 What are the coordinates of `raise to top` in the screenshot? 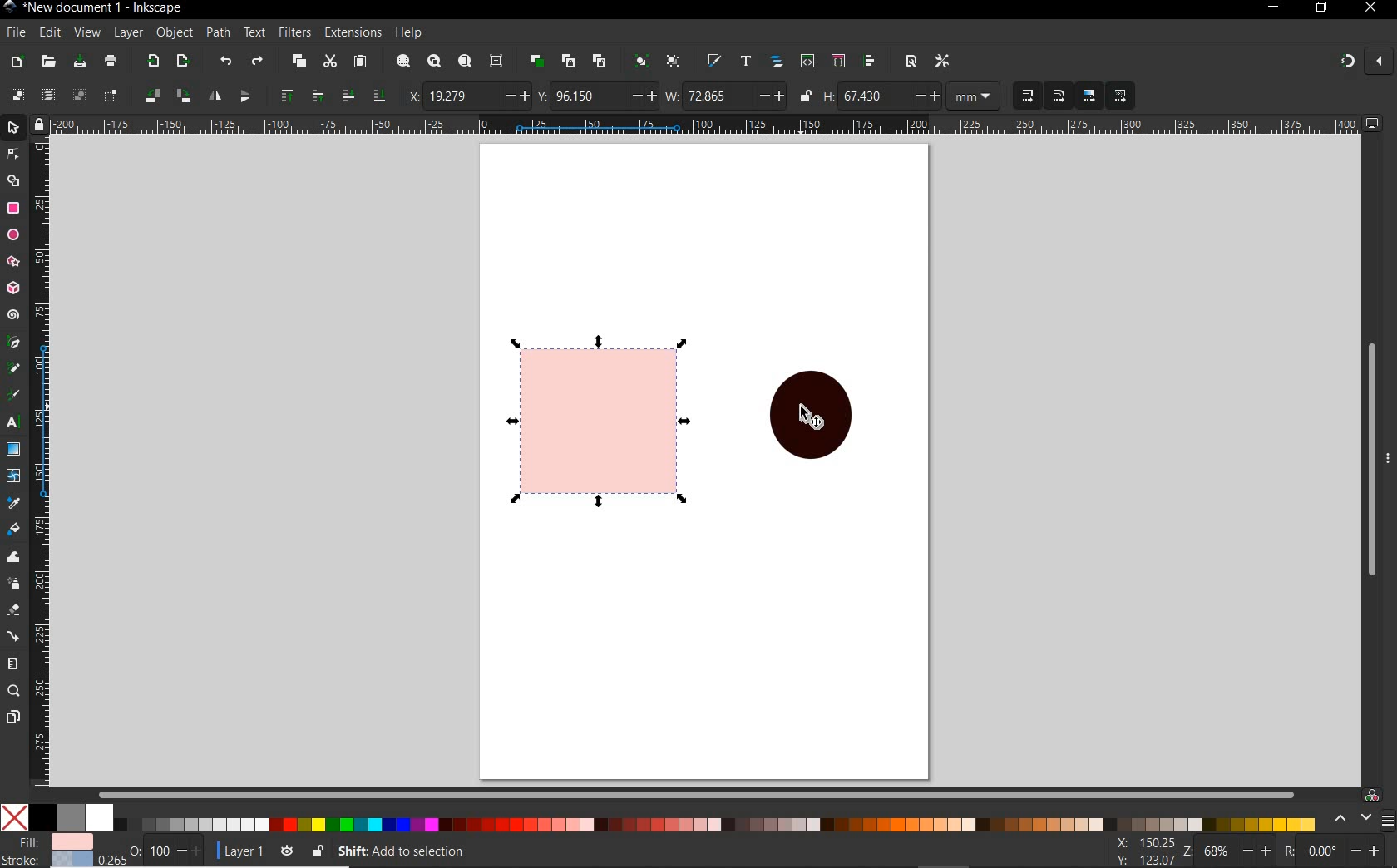 It's located at (289, 94).